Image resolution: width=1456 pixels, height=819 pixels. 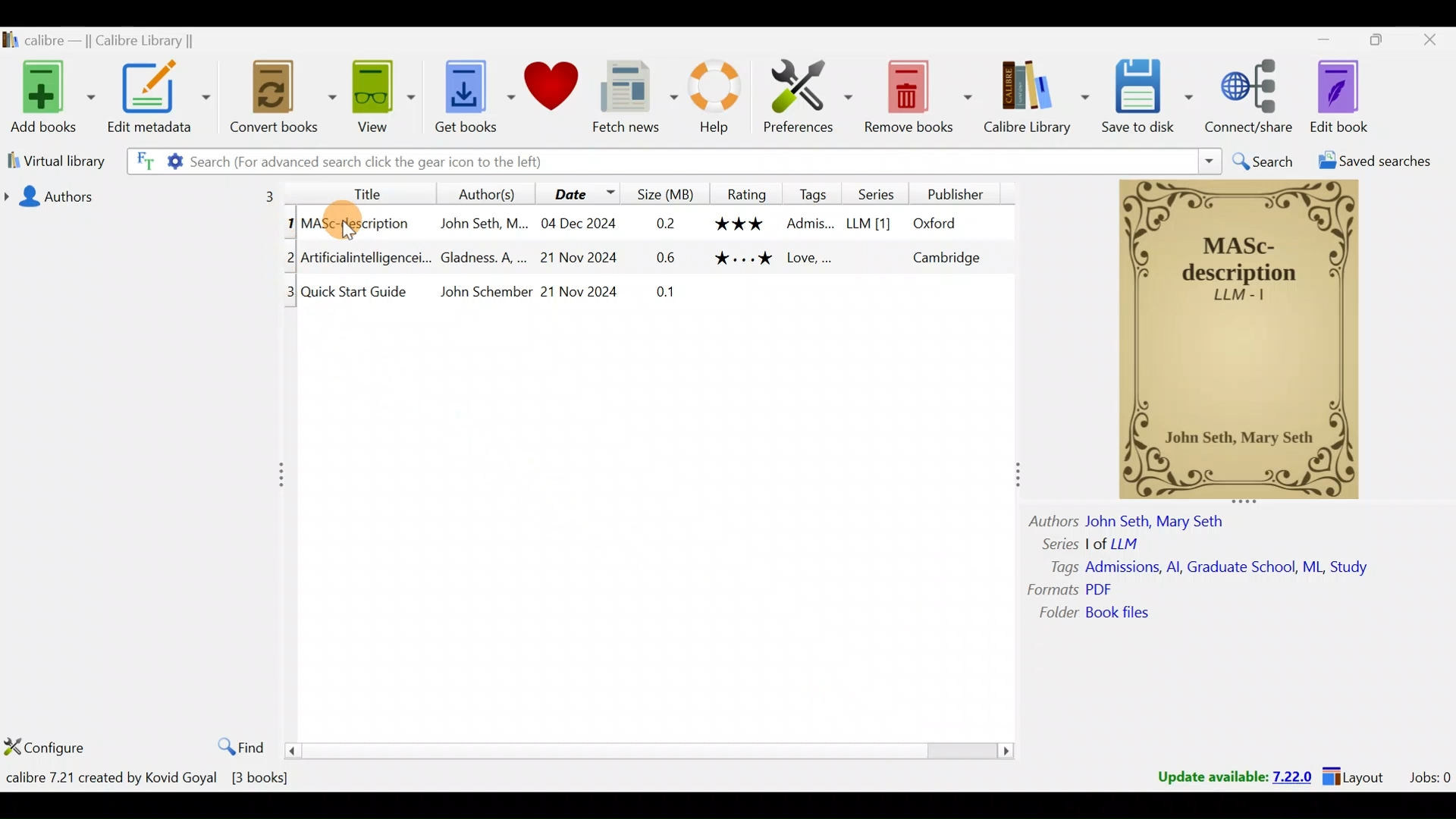 I want to click on , so click(x=1103, y=588).